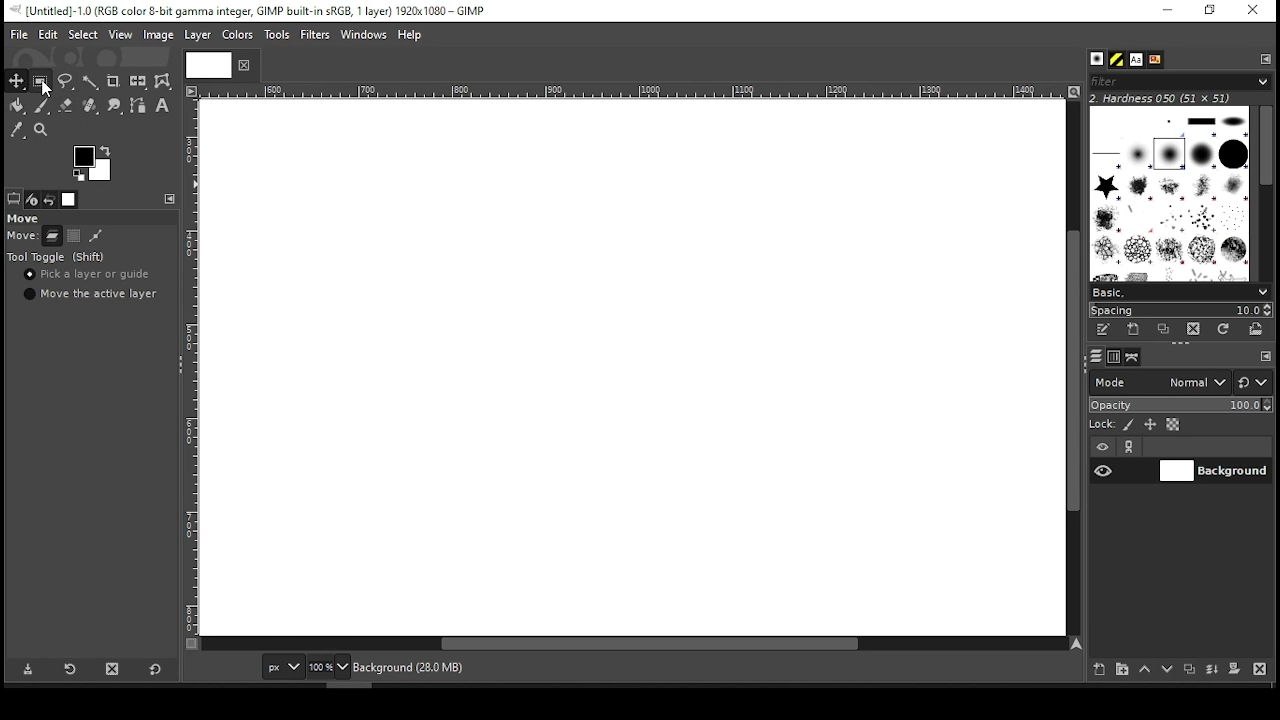 Image resolution: width=1280 pixels, height=720 pixels. Describe the element at coordinates (629, 92) in the screenshot. I see `` at that location.